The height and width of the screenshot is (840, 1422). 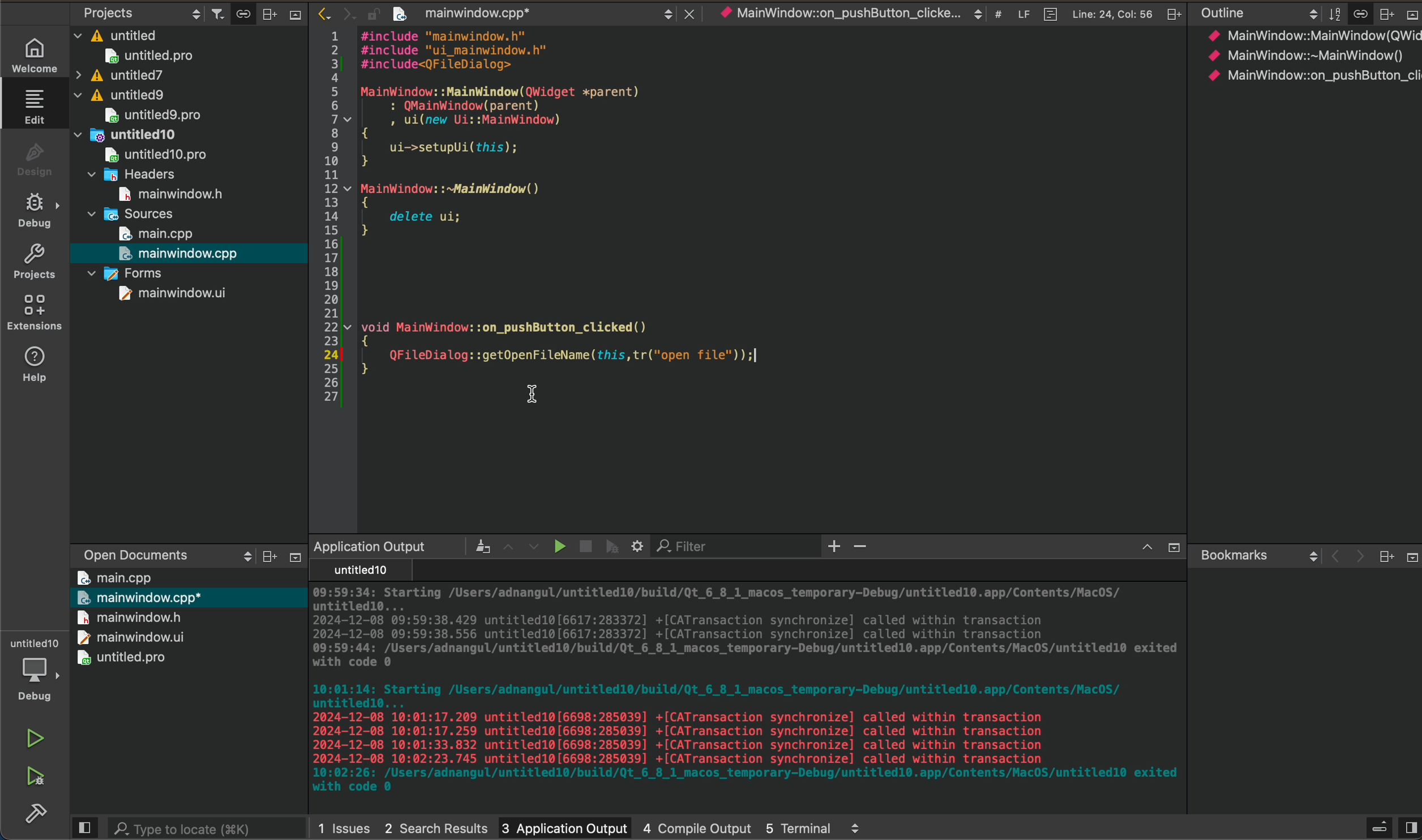 What do you see at coordinates (127, 551) in the screenshot?
I see `Open Documents` at bounding box center [127, 551].